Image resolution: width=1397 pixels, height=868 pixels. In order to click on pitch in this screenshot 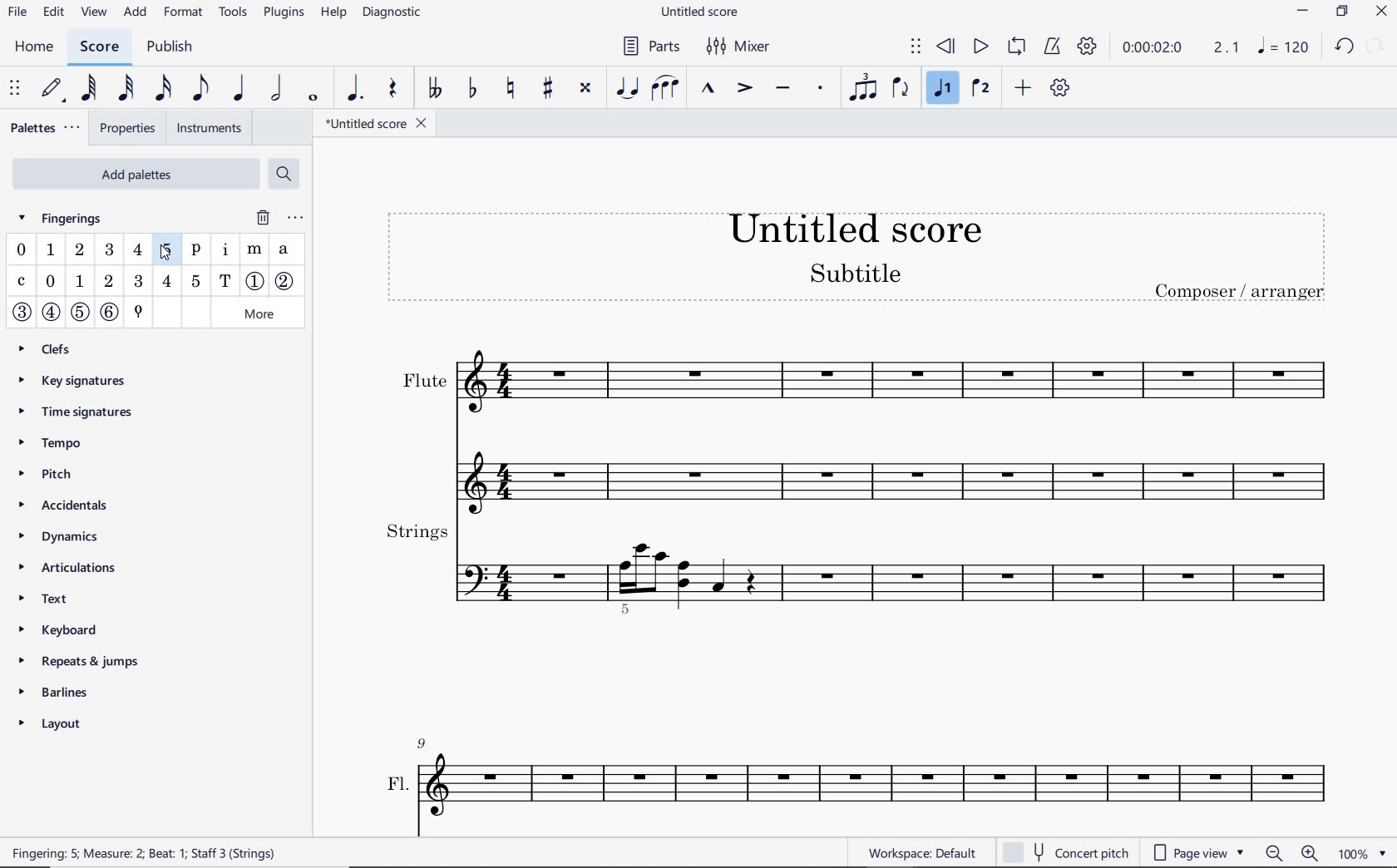, I will do `click(62, 476)`.